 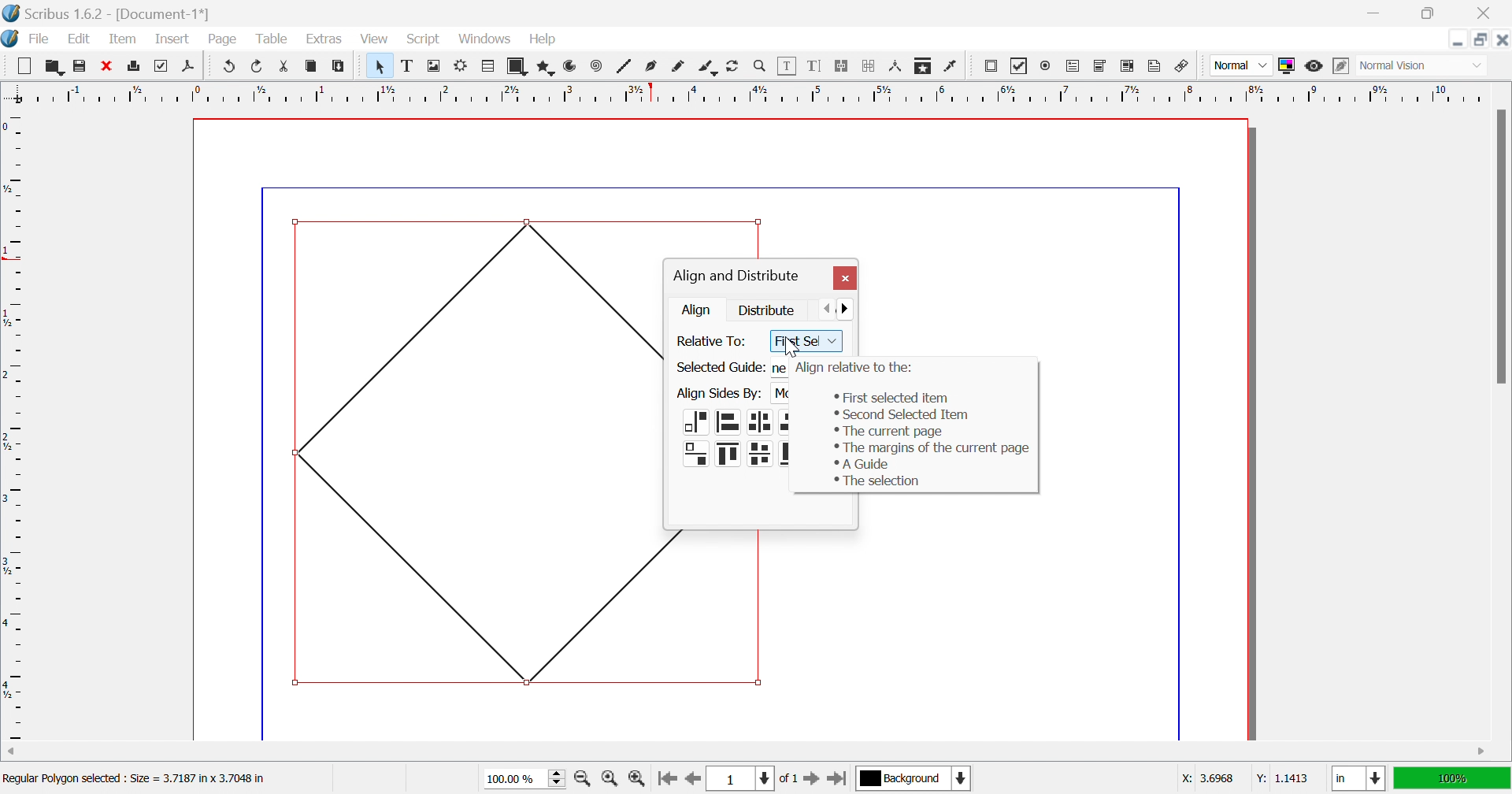 What do you see at coordinates (1450, 777) in the screenshot?
I see `100%` at bounding box center [1450, 777].